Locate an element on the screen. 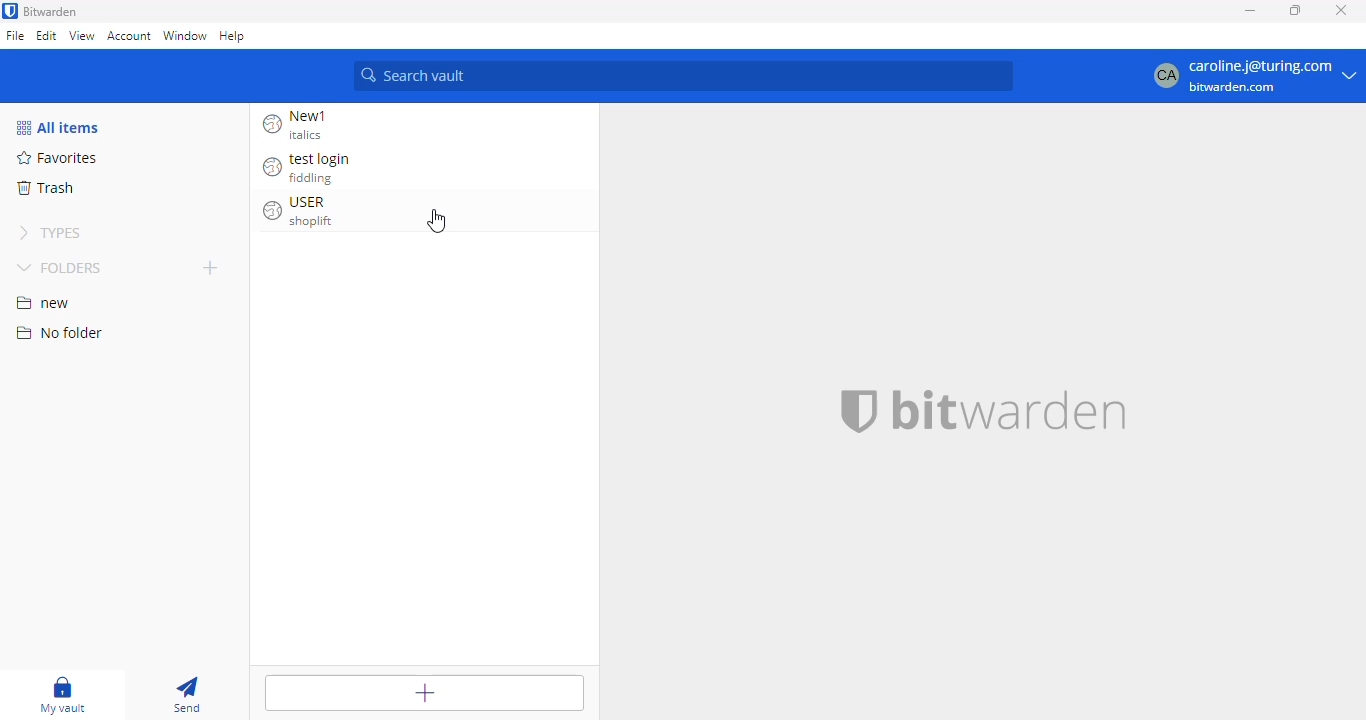 The width and height of the screenshot is (1366, 720). file is located at coordinates (15, 35).